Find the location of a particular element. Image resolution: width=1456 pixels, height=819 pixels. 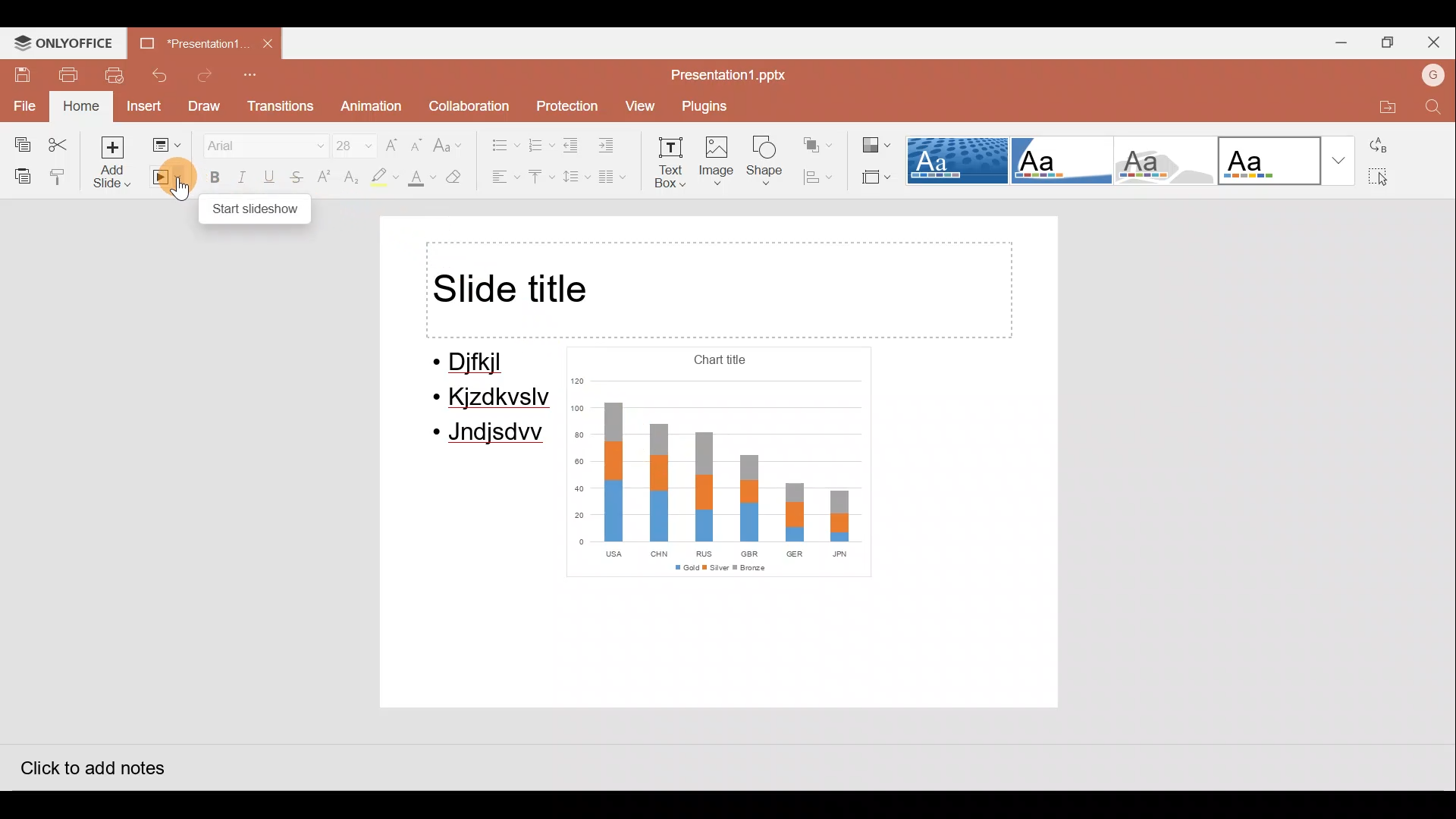

Maximize is located at coordinates (1386, 39).